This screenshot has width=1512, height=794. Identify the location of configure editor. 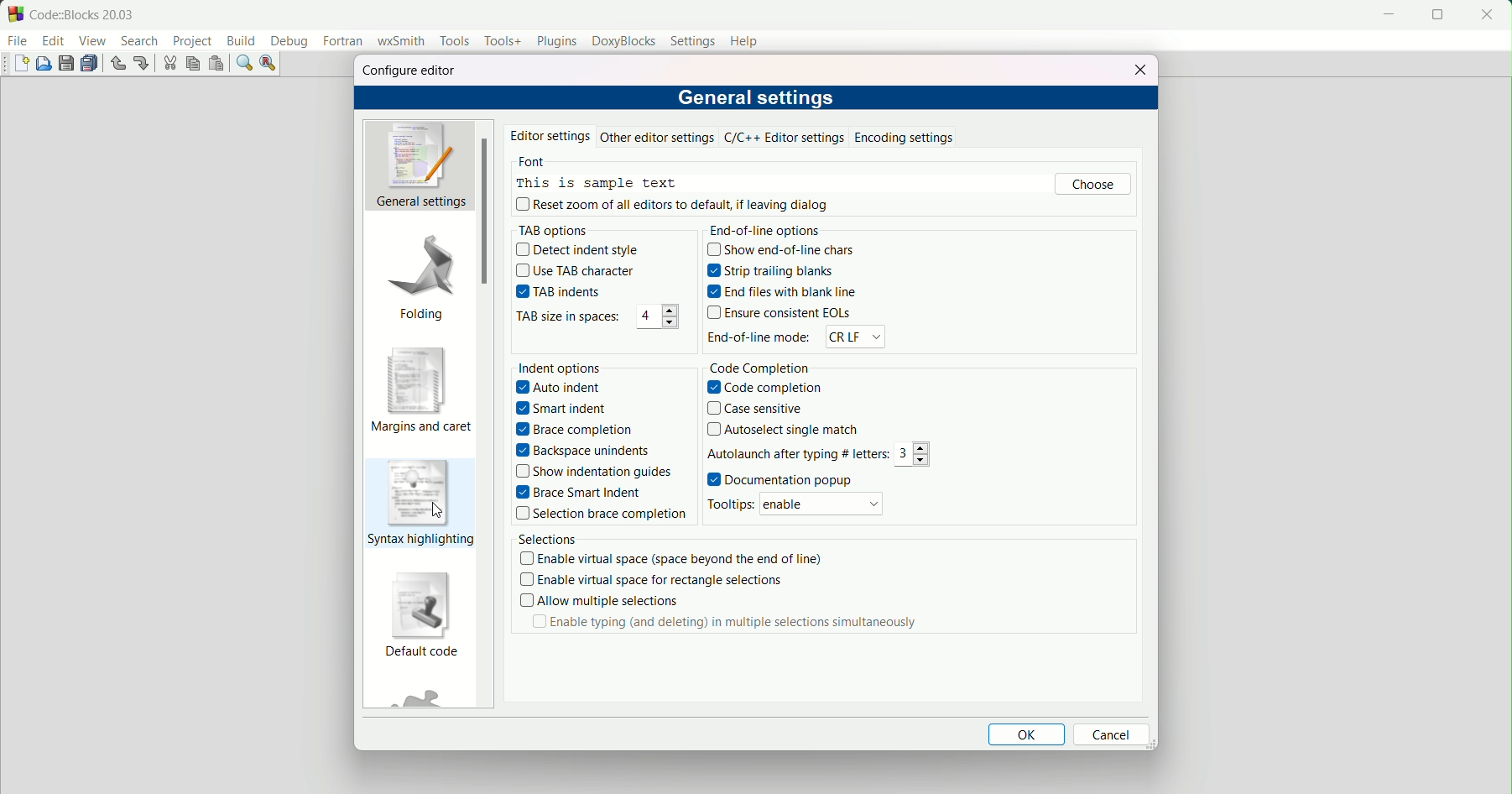
(409, 71).